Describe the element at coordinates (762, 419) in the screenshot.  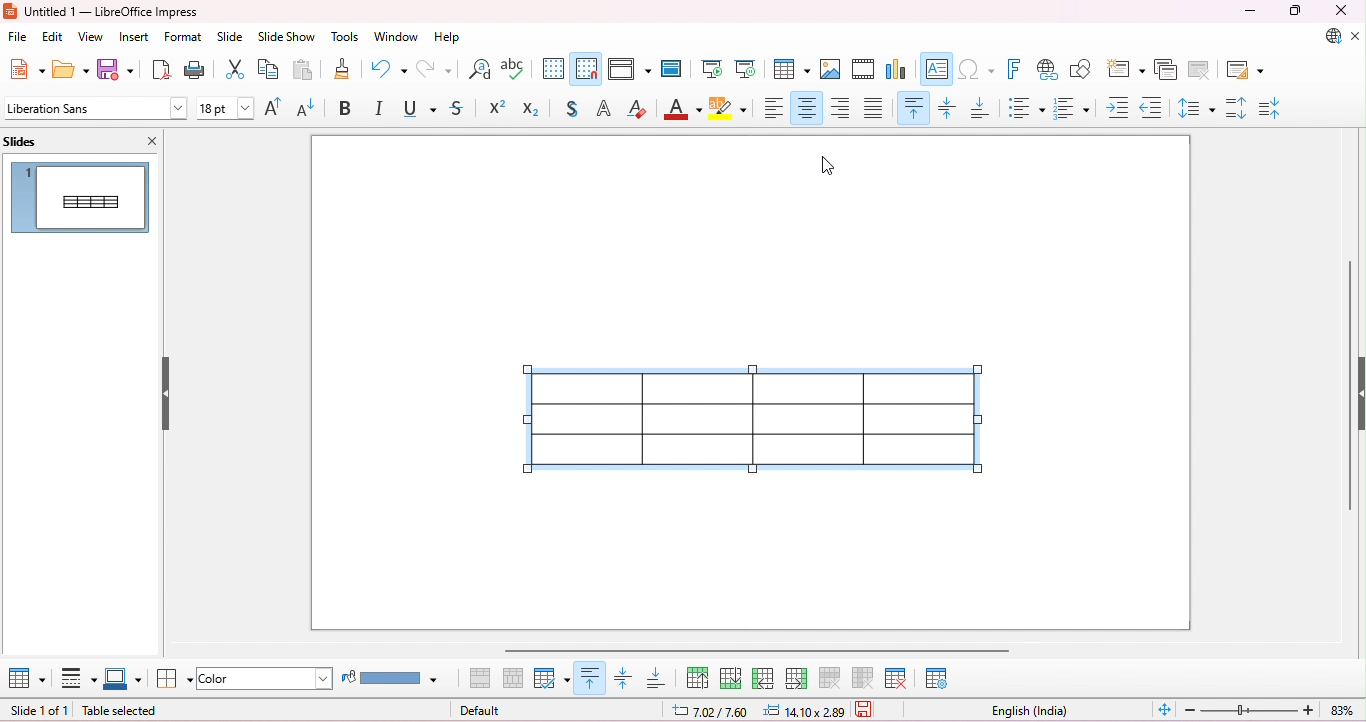
I see `table inserted` at that location.